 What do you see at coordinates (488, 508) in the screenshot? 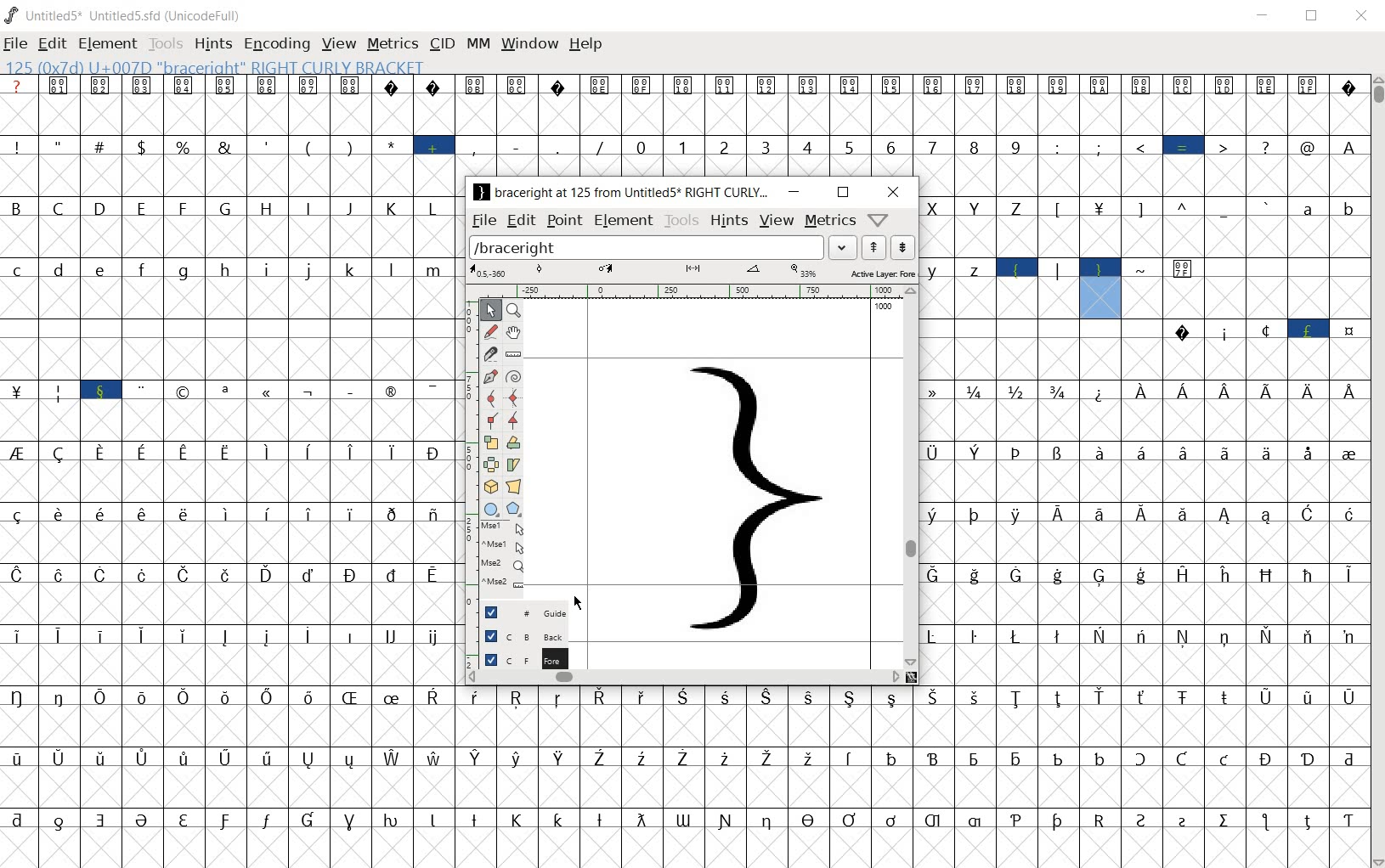
I see `rectangle or ellipse` at bounding box center [488, 508].